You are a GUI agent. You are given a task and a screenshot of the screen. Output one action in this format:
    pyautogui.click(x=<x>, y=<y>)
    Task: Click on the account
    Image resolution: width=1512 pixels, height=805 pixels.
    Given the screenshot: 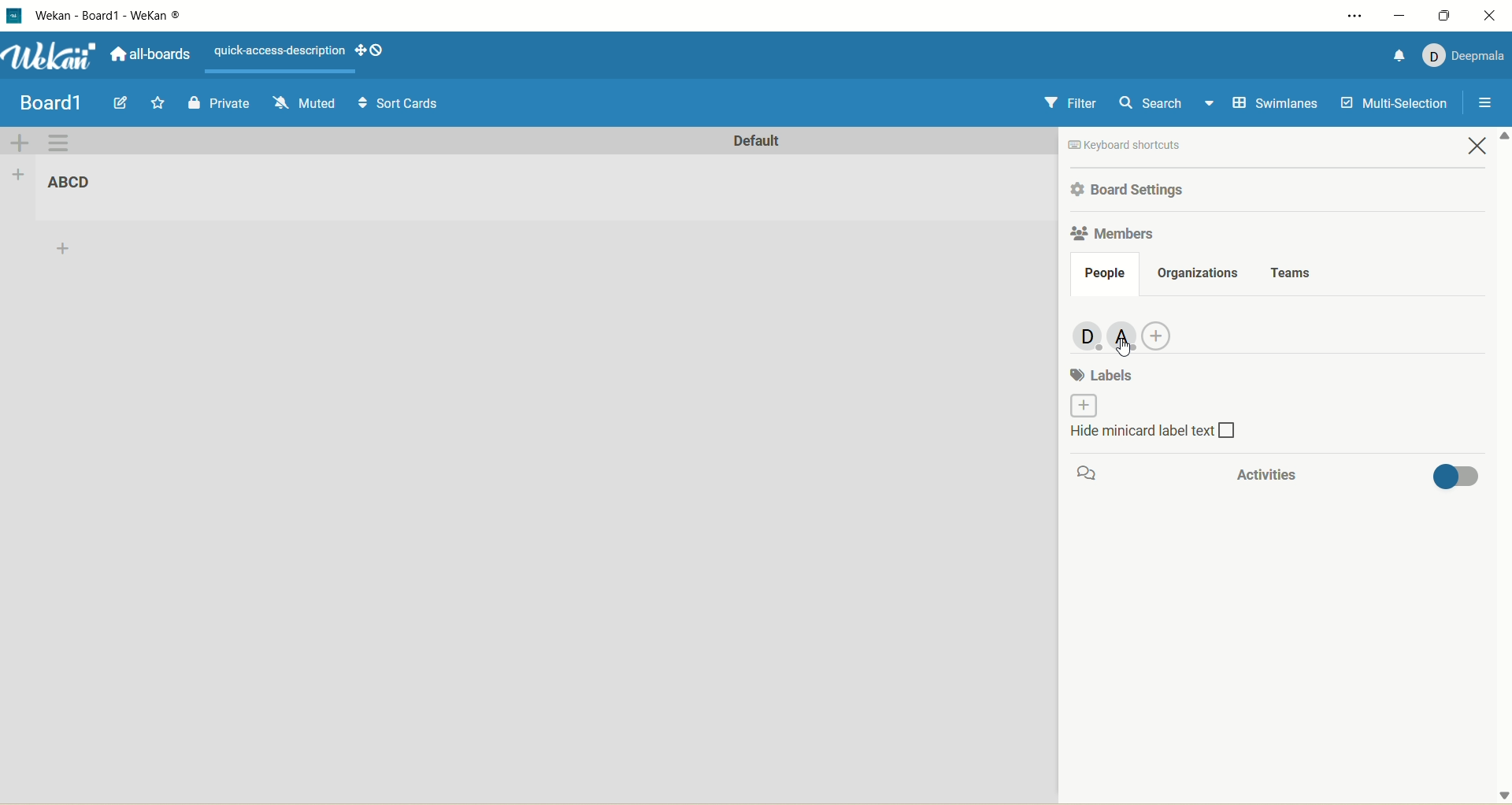 What is the action you would take?
    pyautogui.click(x=1464, y=57)
    